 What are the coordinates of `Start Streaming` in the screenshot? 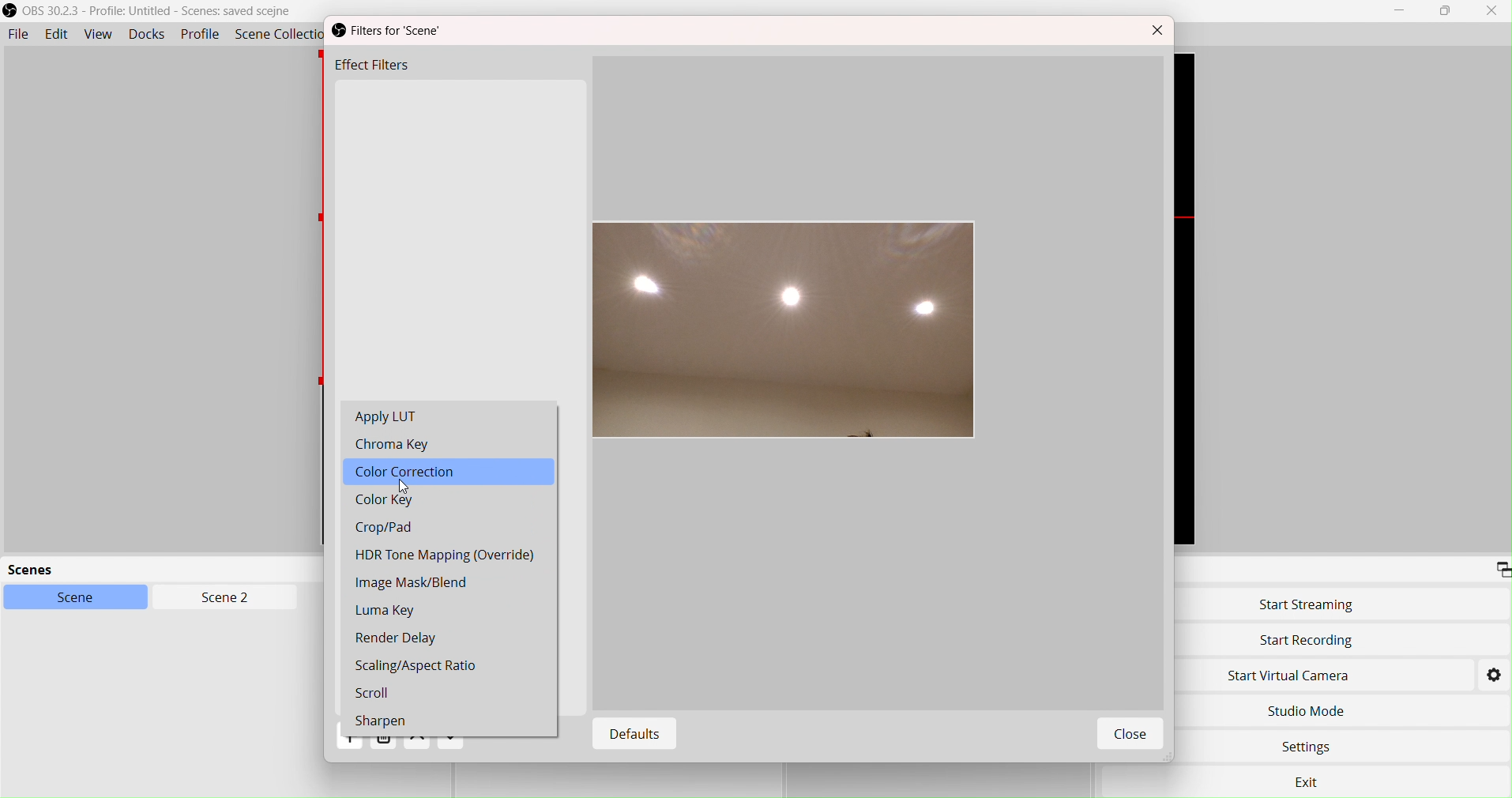 It's located at (1307, 604).